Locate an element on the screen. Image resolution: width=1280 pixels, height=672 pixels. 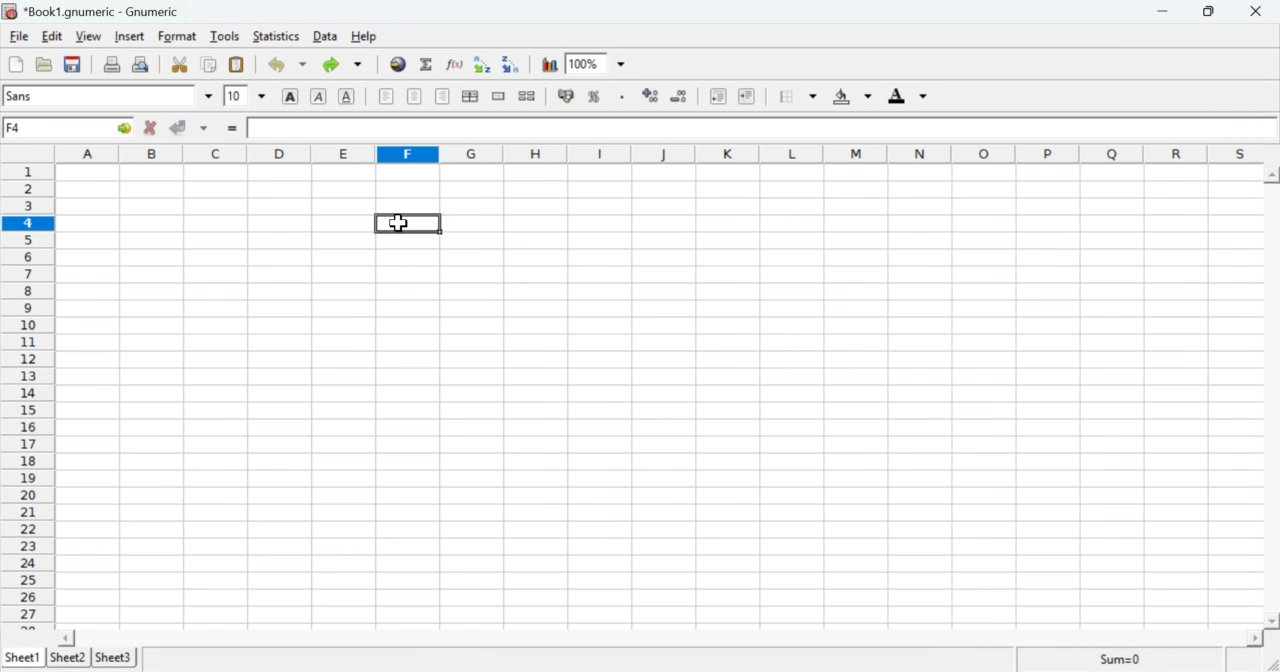
Minimise is located at coordinates (1160, 12).